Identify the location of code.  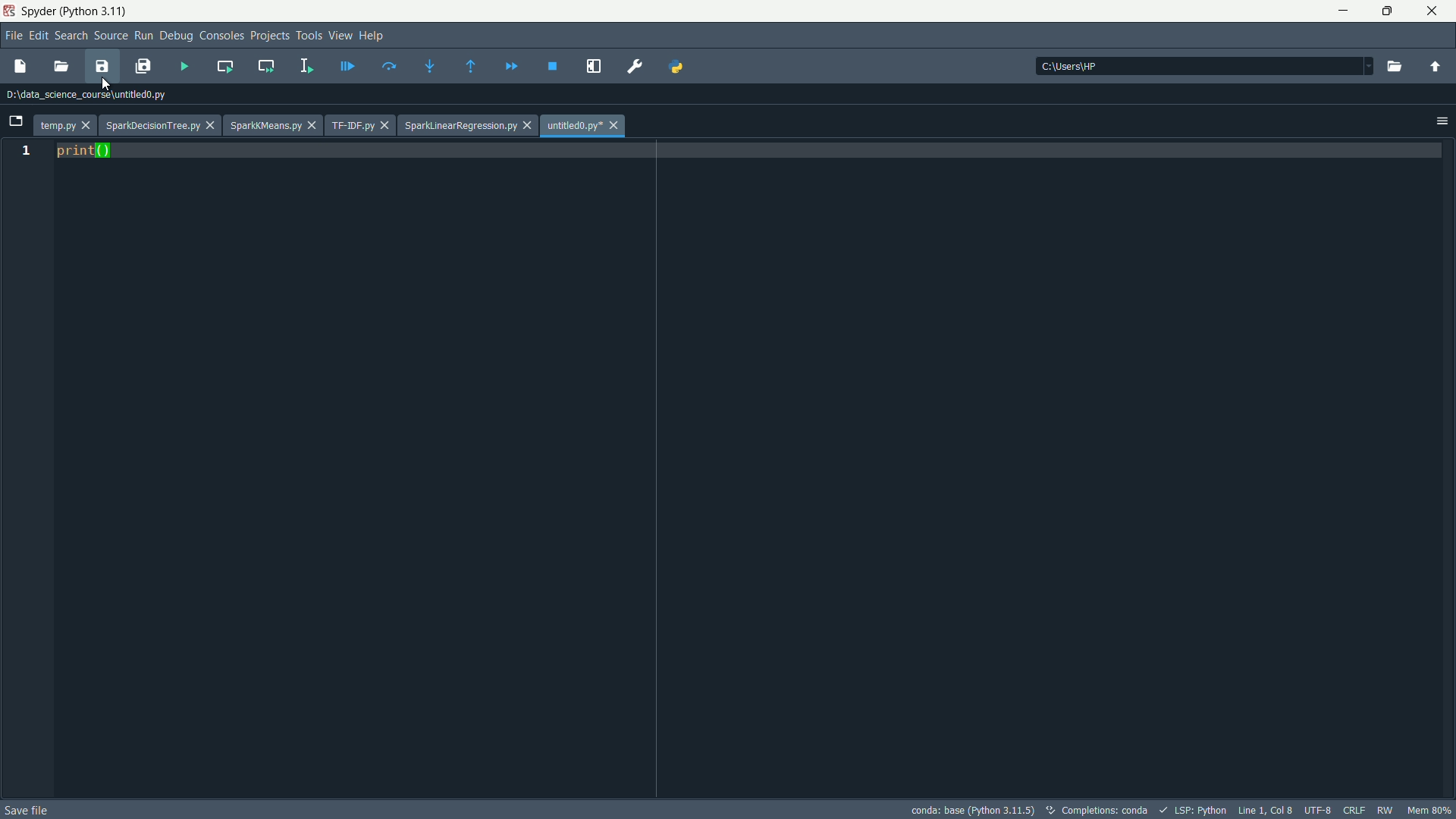
(84, 152).